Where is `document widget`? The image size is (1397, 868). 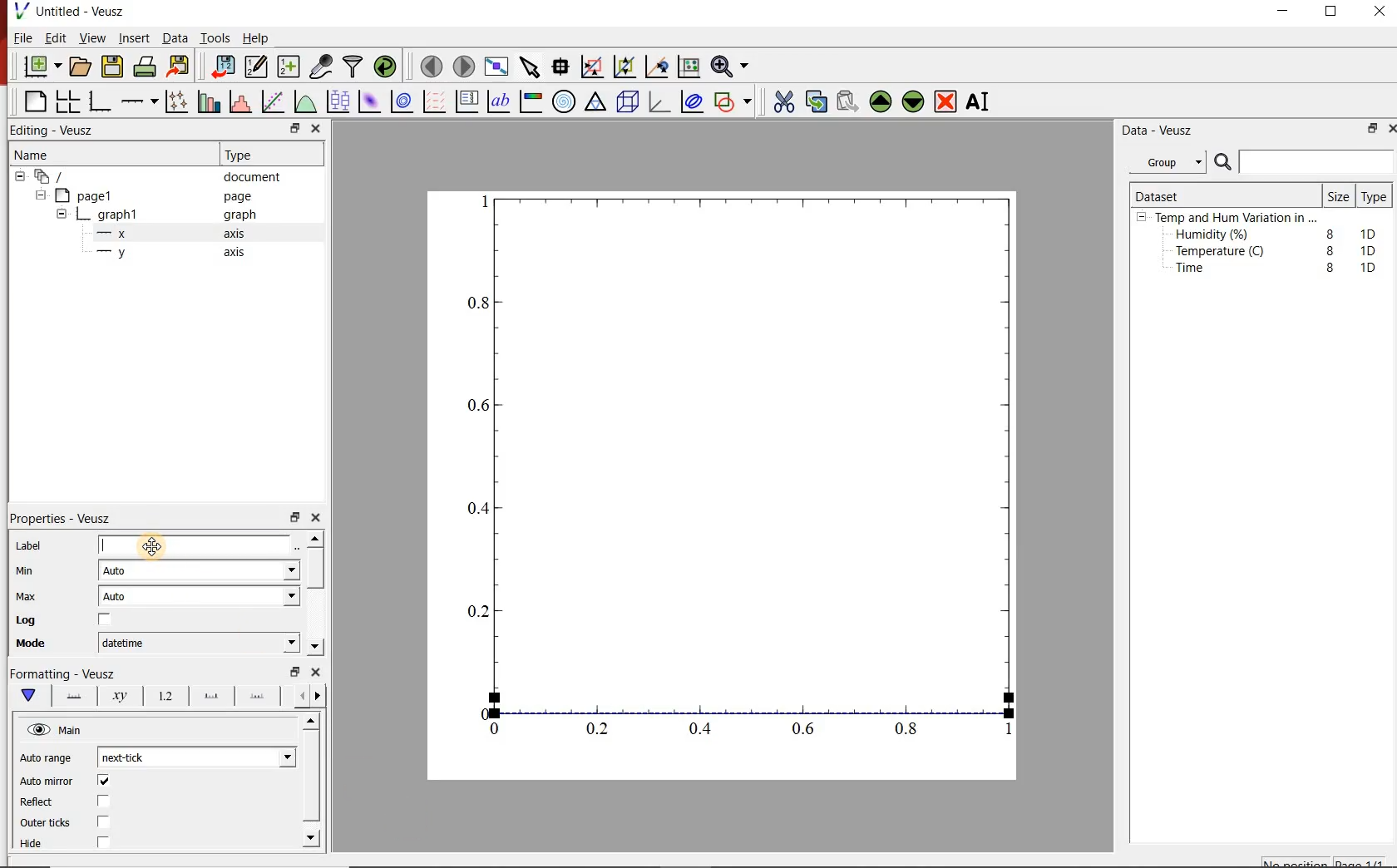 document widget is located at coordinates (59, 177).